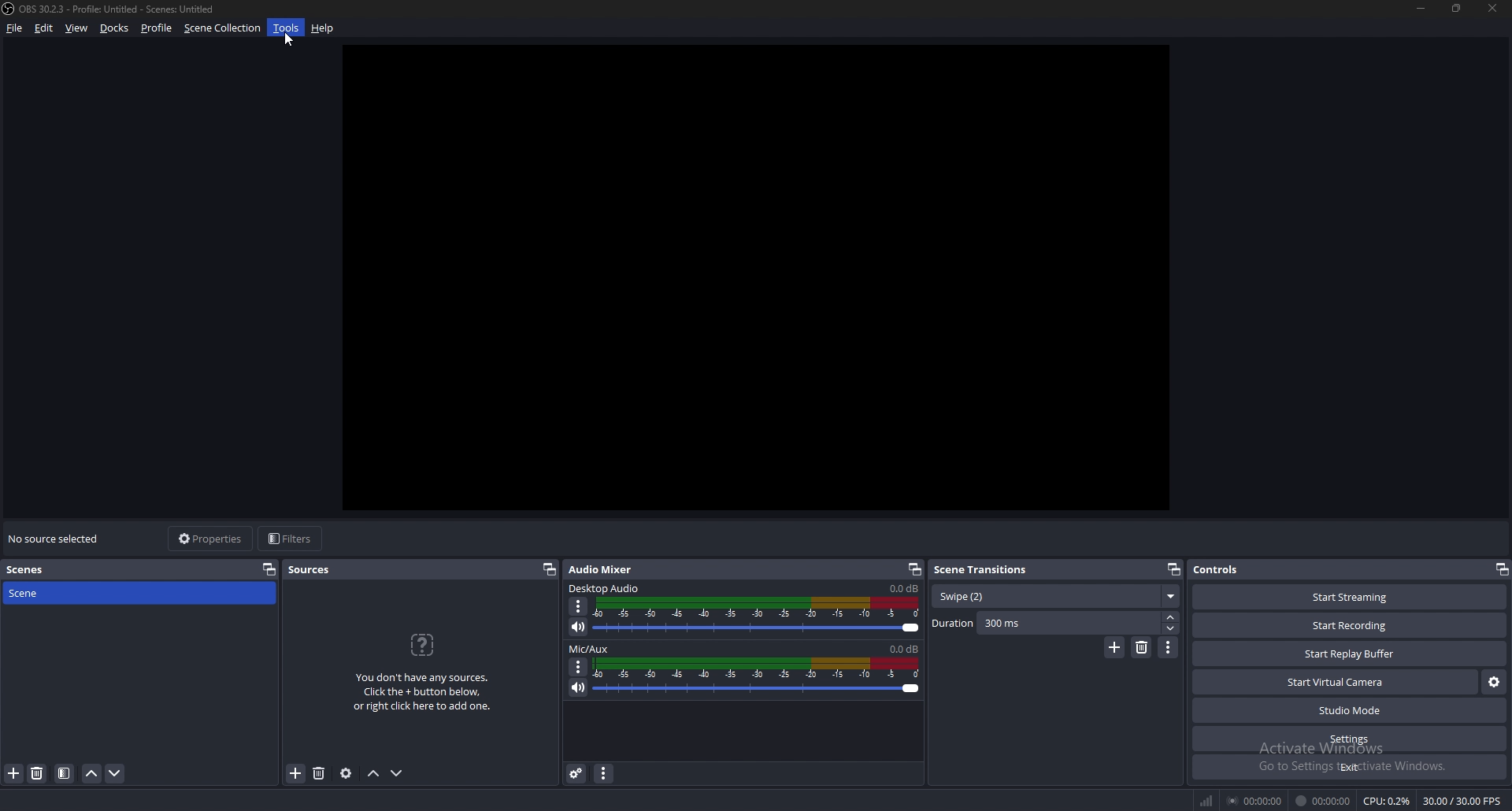 Image resolution: width=1512 pixels, height=811 pixels. What do you see at coordinates (212, 539) in the screenshot?
I see `properties` at bounding box center [212, 539].